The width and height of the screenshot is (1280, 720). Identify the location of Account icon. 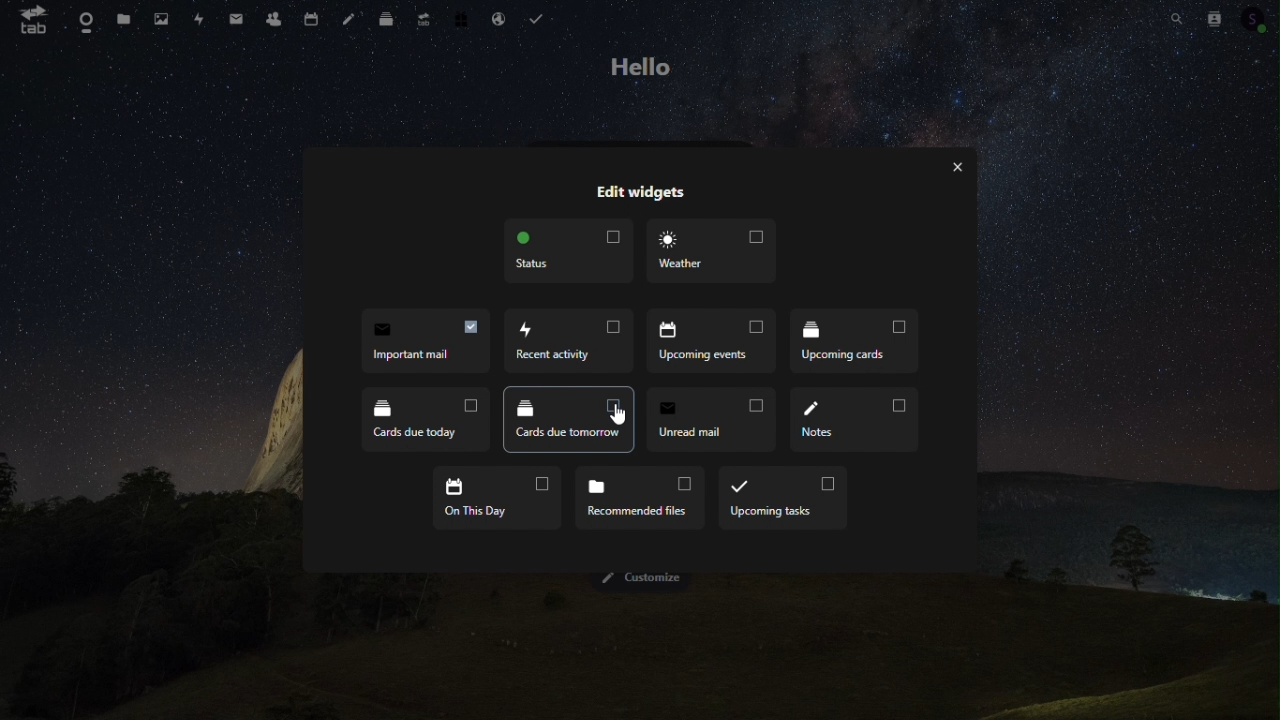
(1258, 16).